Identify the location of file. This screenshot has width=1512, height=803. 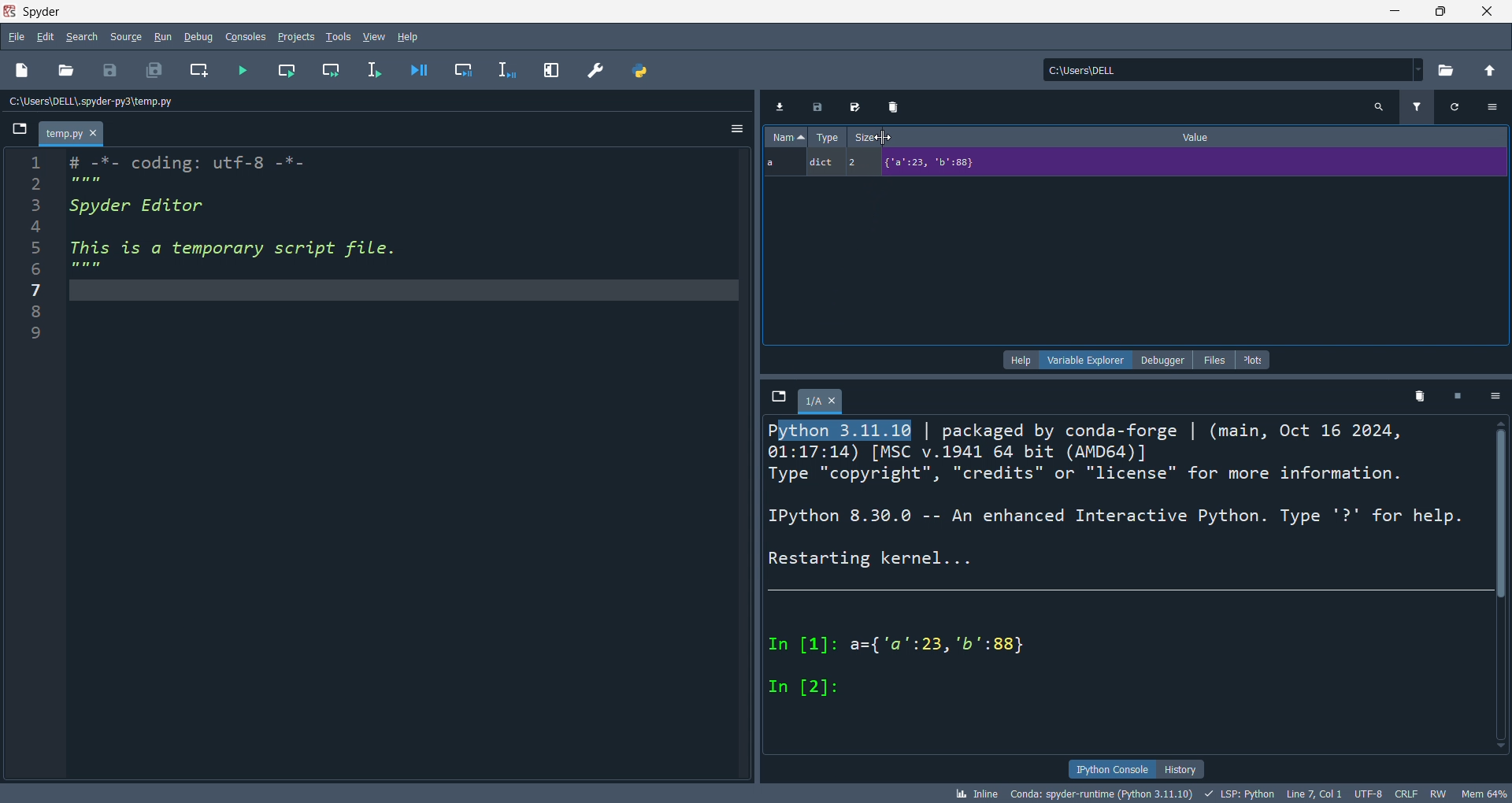
(17, 35).